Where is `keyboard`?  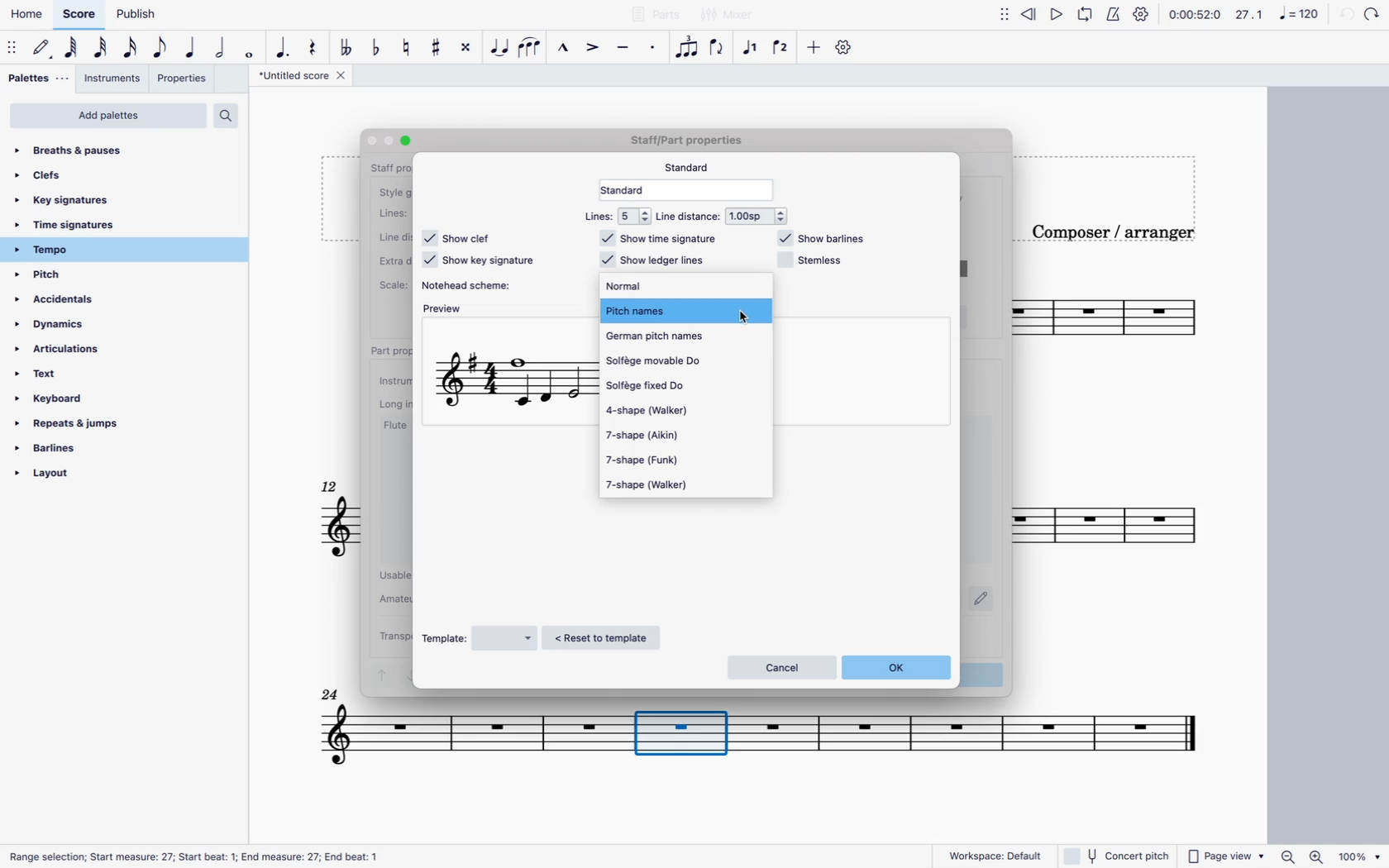 keyboard is located at coordinates (82, 399).